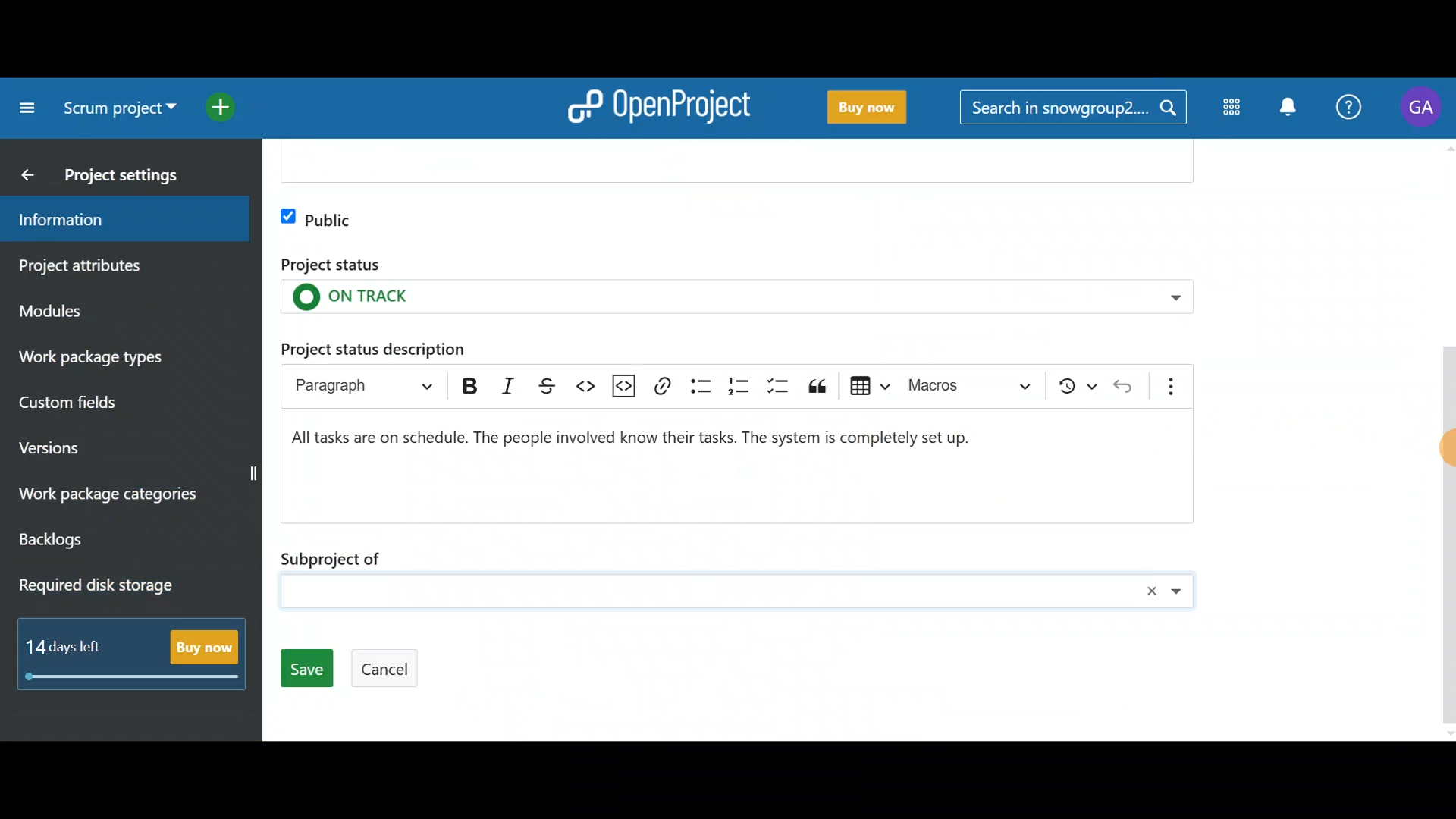 This screenshot has width=1456, height=819. What do you see at coordinates (115, 400) in the screenshot?
I see `Custom fields` at bounding box center [115, 400].